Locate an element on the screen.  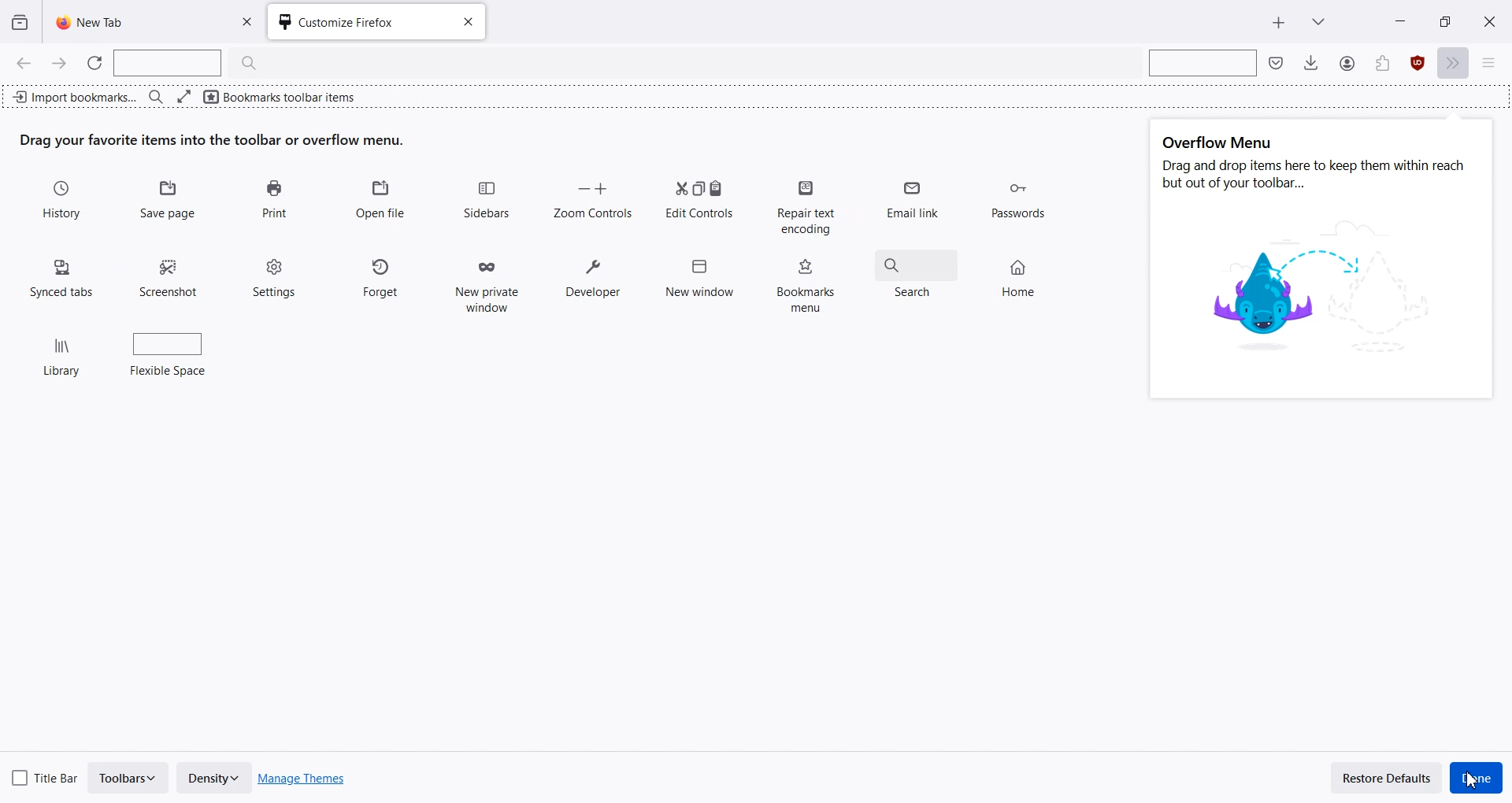
More tools is located at coordinates (1456, 64).